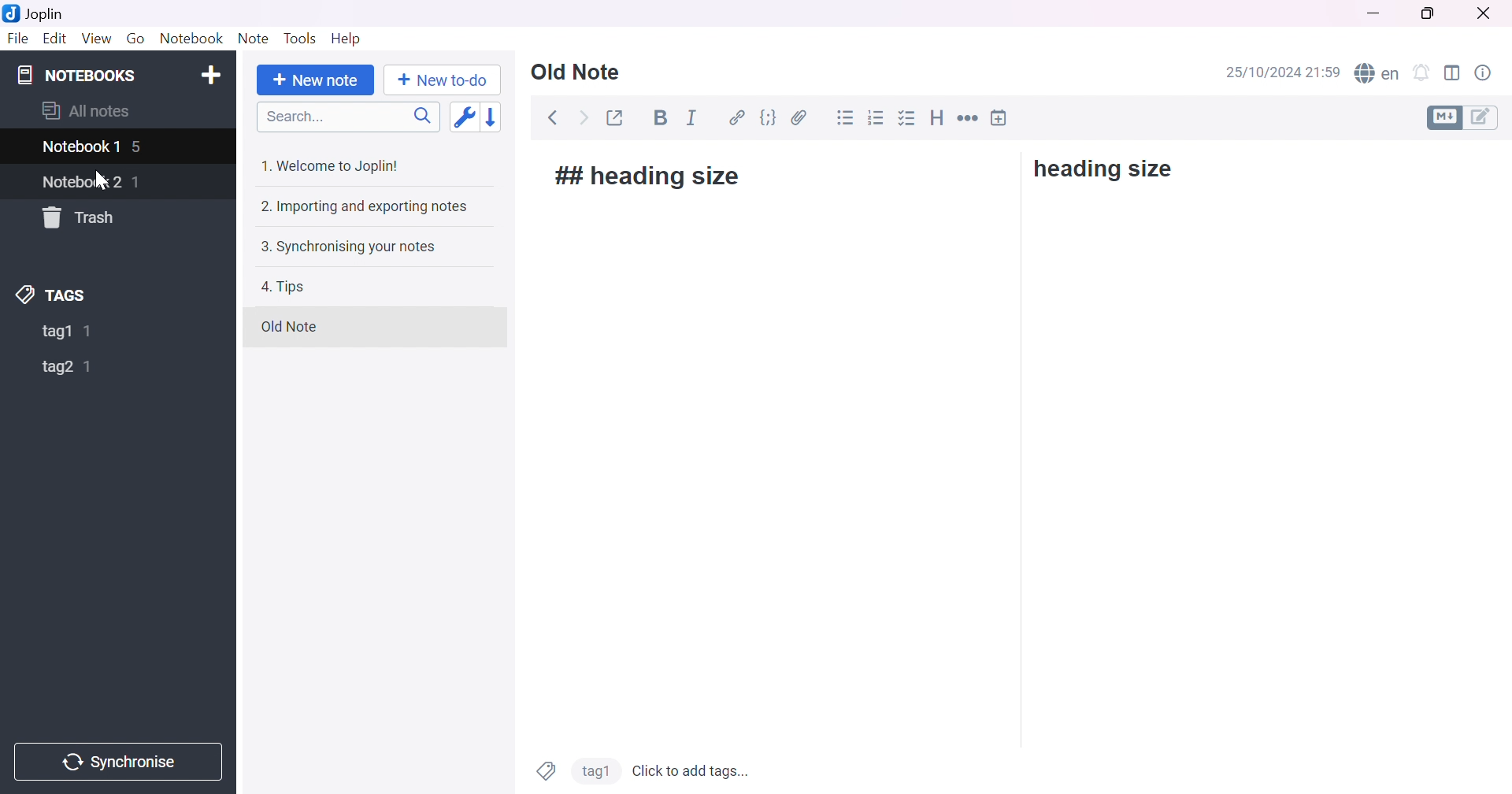 The image size is (1512, 794). Describe the element at coordinates (54, 332) in the screenshot. I see `tag1` at that location.